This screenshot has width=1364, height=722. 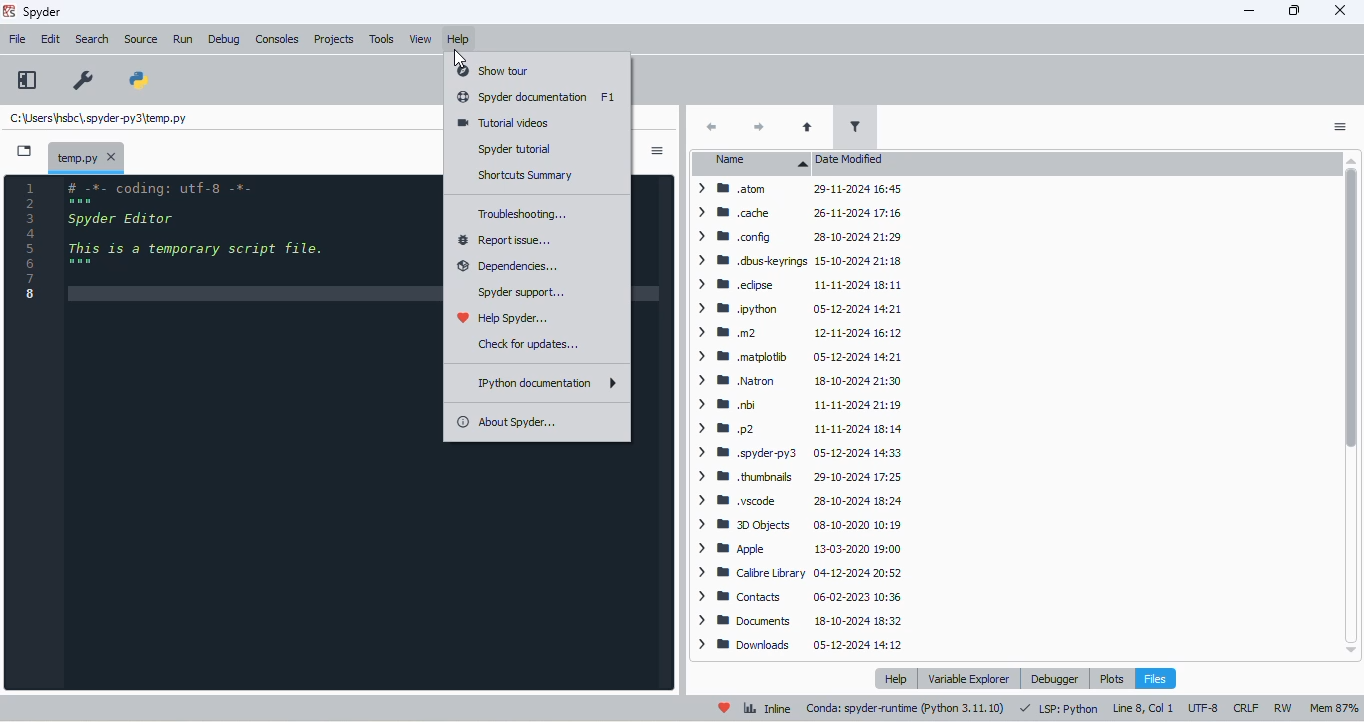 What do you see at coordinates (797, 237) in the screenshot?
I see `> BB config 28-10-2024 21:29` at bounding box center [797, 237].